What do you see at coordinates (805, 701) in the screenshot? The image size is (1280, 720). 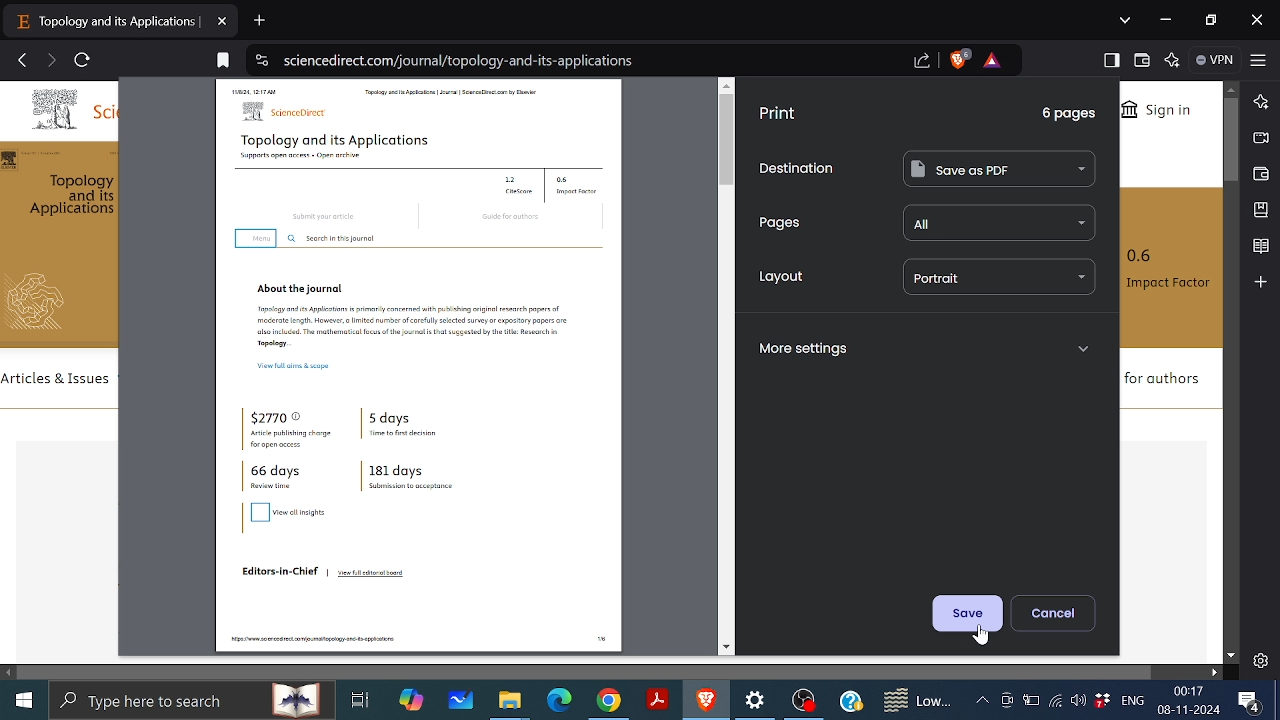 I see `OBS studio` at bounding box center [805, 701].